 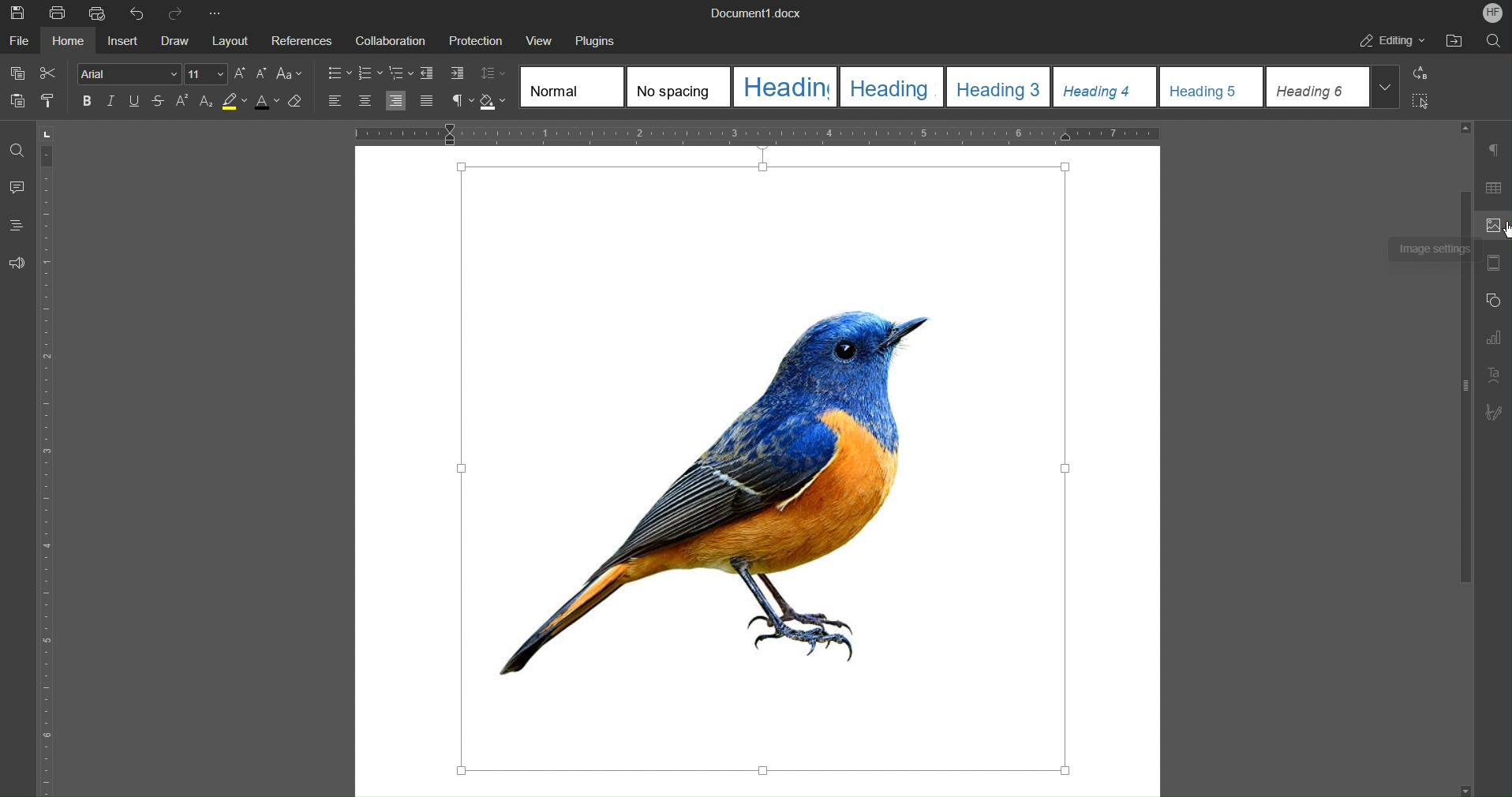 What do you see at coordinates (111, 102) in the screenshot?
I see `Italic` at bounding box center [111, 102].